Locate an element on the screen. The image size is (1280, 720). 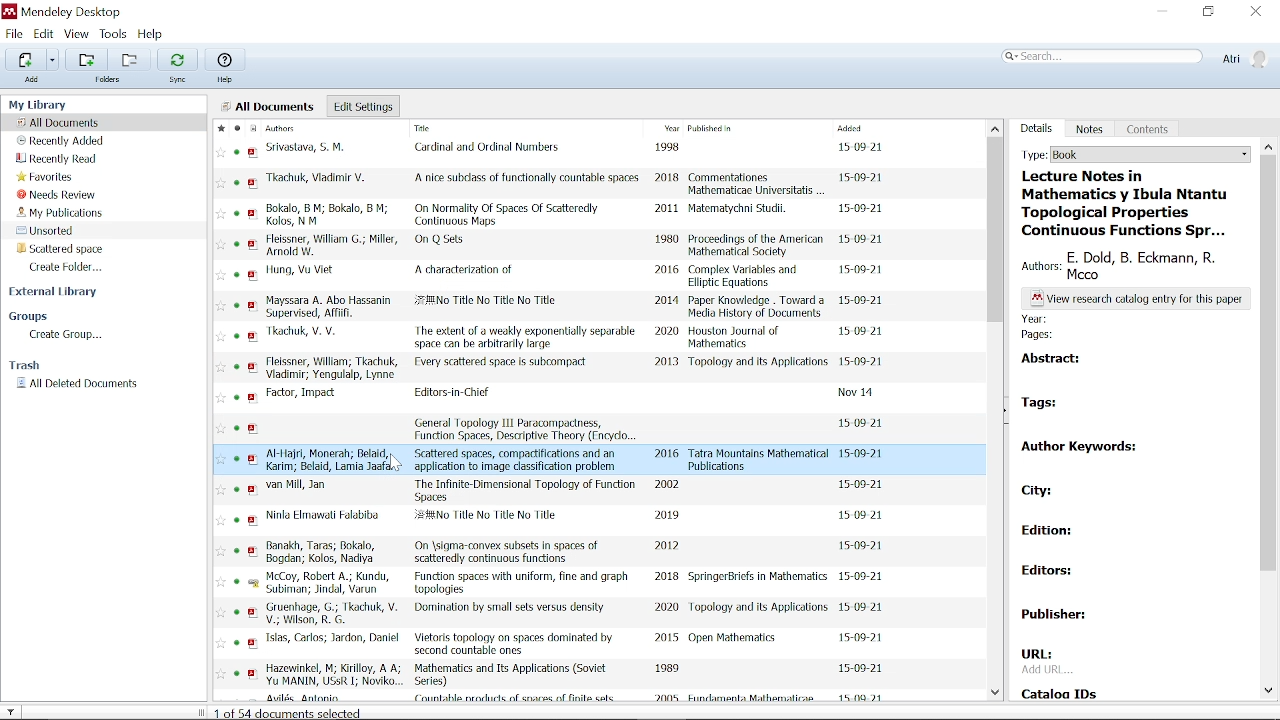
Move up in all files is located at coordinates (995, 128).